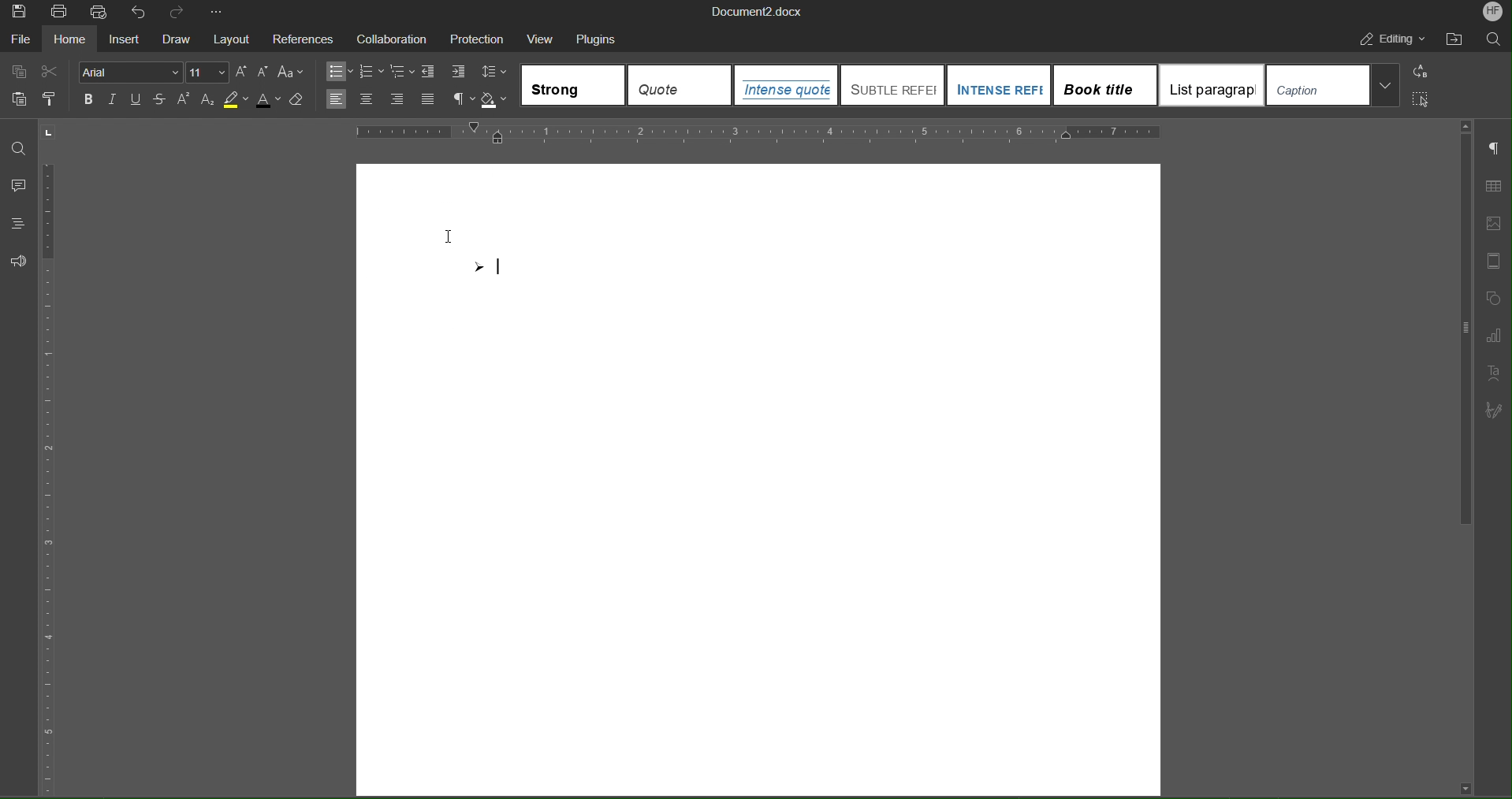 The width and height of the screenshot is (1512, 799). Describe the element at coordinates (57, 465) in the screenshot. I see `Vertical Ruler` at that location.